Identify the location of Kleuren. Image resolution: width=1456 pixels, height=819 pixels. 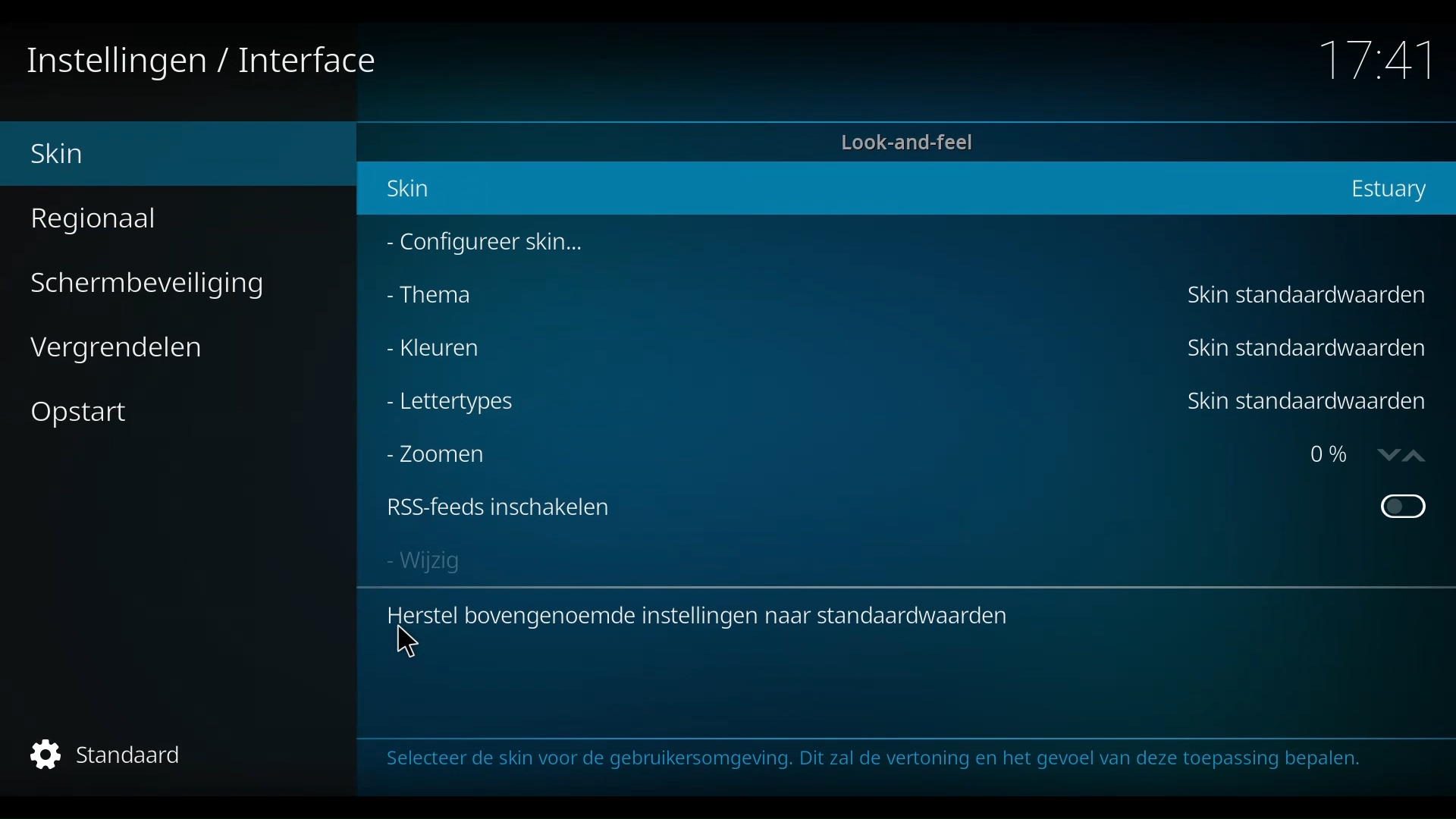
(457, 352).